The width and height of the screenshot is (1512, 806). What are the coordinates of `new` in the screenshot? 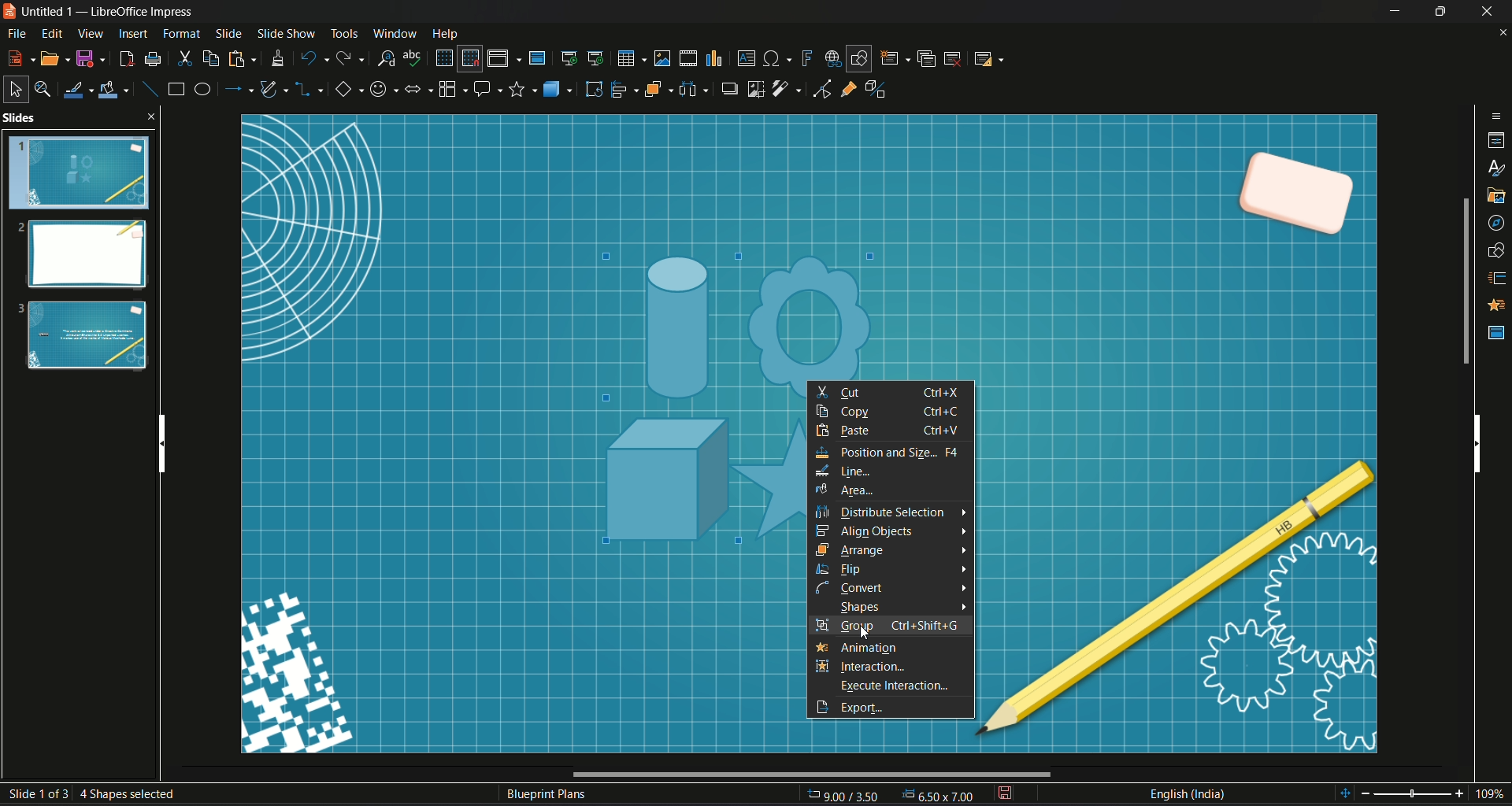 It's located at (20, 57).